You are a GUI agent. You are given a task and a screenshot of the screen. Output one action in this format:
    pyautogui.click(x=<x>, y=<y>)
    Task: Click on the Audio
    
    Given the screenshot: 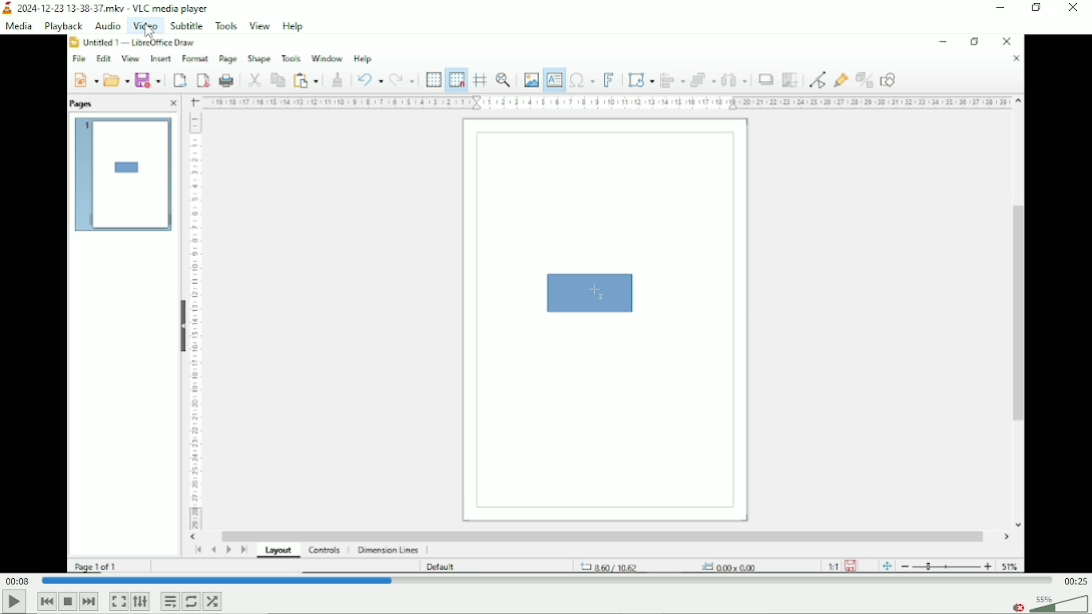 What is the action you would take?
    pyautogui.click(x=106, y=26)
    